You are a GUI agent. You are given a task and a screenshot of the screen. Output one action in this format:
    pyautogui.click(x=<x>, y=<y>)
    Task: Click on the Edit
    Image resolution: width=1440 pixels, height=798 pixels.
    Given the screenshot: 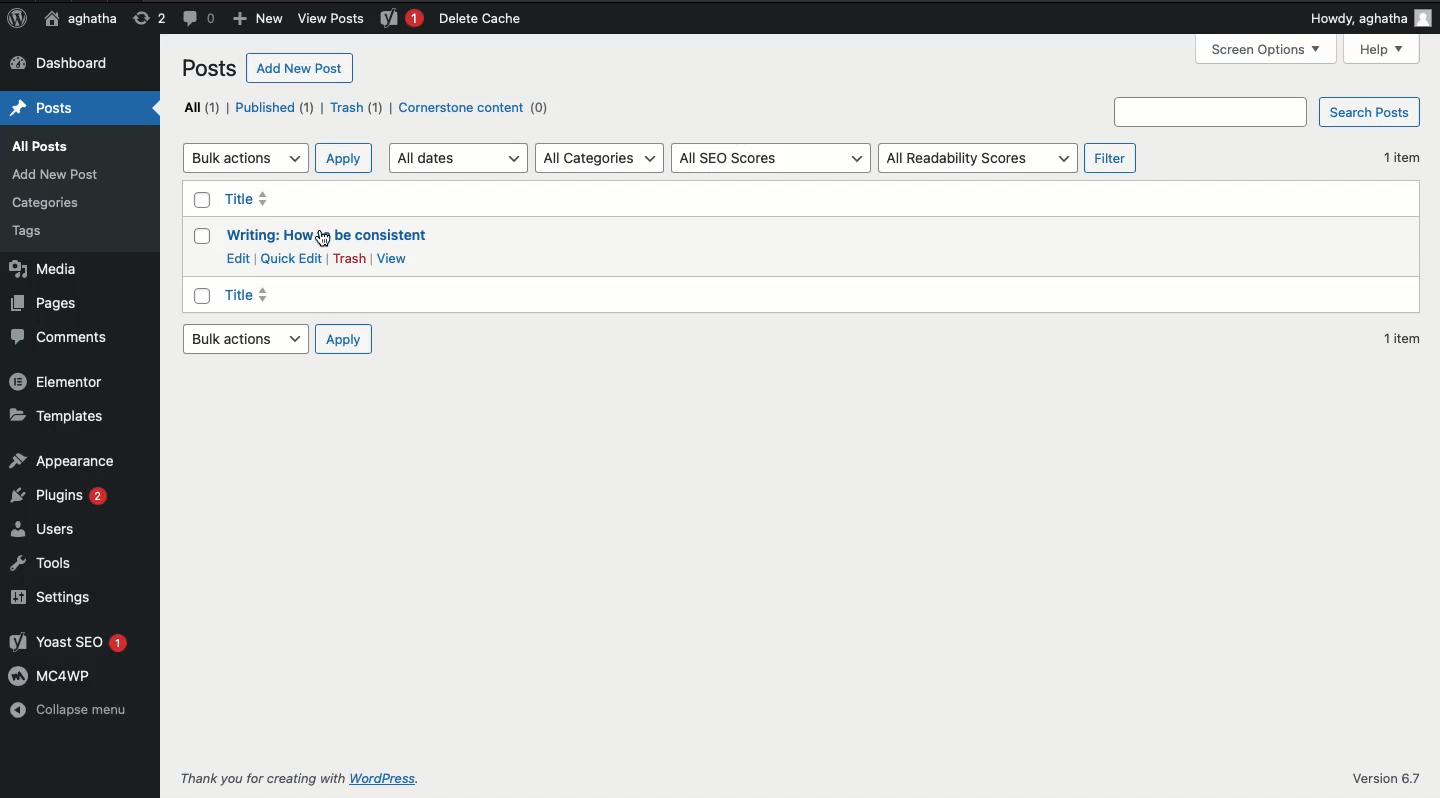 What is the action you would take?
    pyautogui.click(x=239, y=256)
    